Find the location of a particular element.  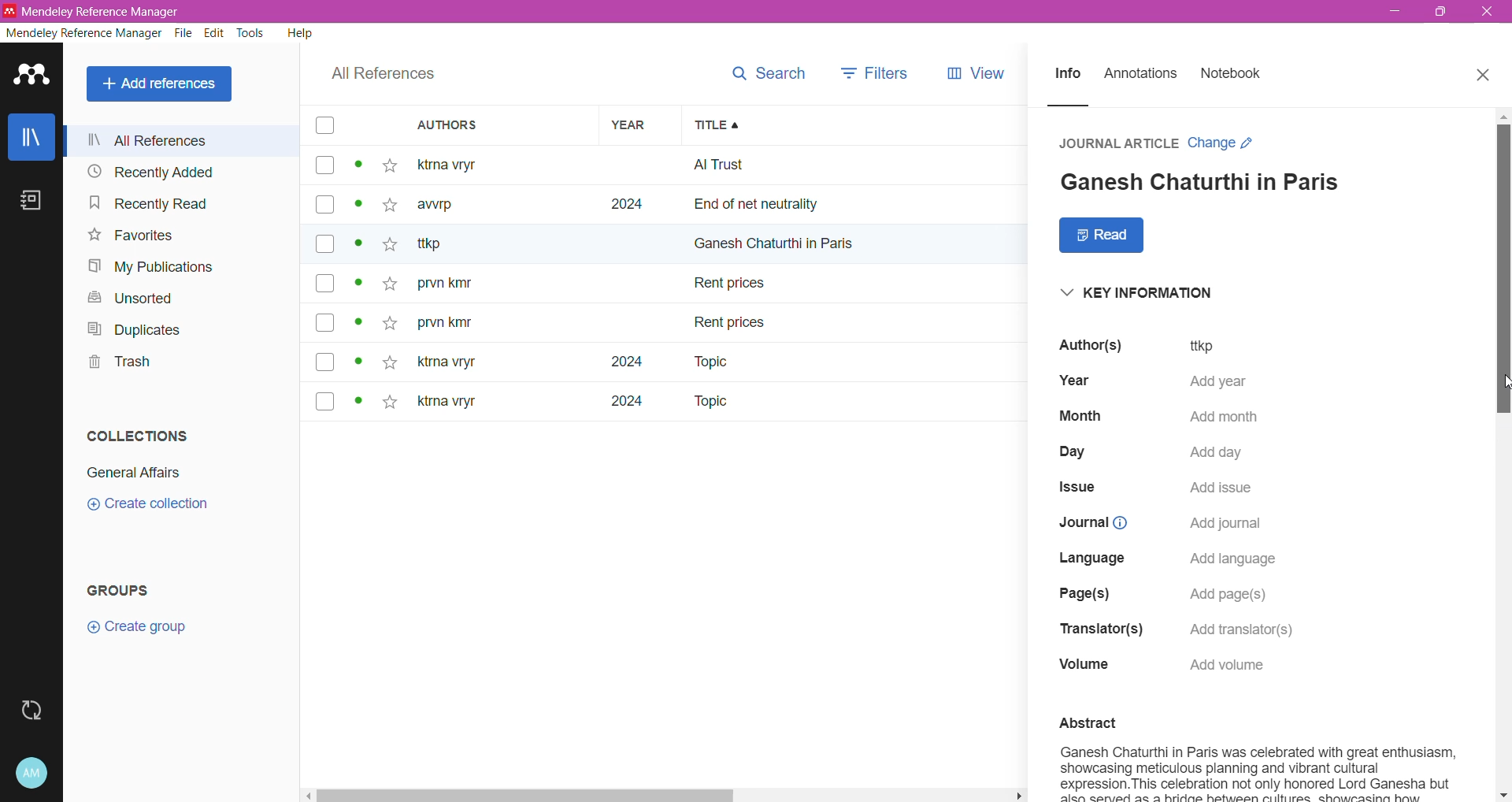

Click to add the reference item to Favorites is located at coordinates (394, 284).